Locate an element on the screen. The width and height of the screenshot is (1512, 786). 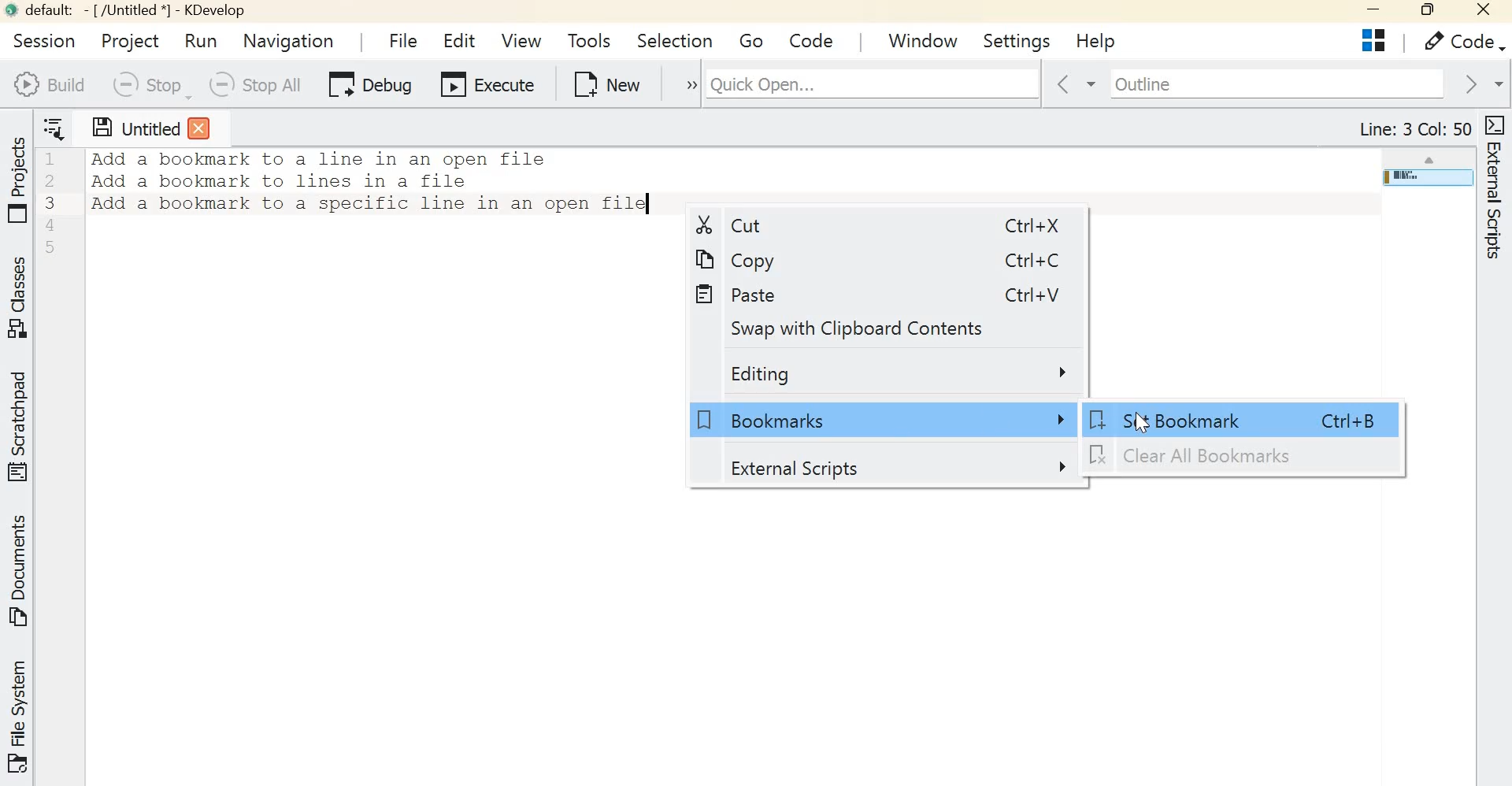
Untitled is located at coordinates (150, 128).